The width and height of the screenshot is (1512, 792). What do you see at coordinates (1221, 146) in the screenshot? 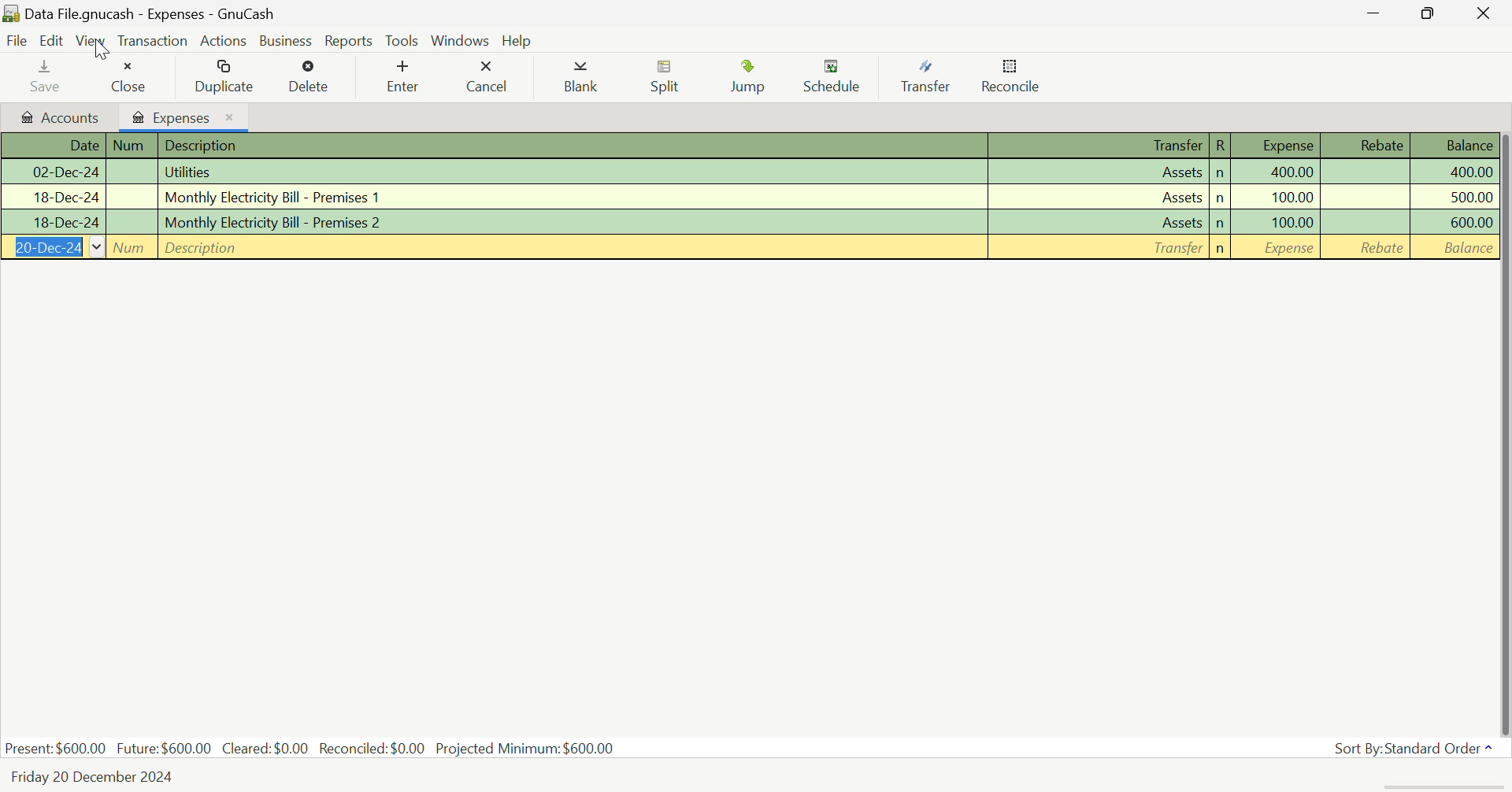
I see `R` at bounding box center [1221, 146].